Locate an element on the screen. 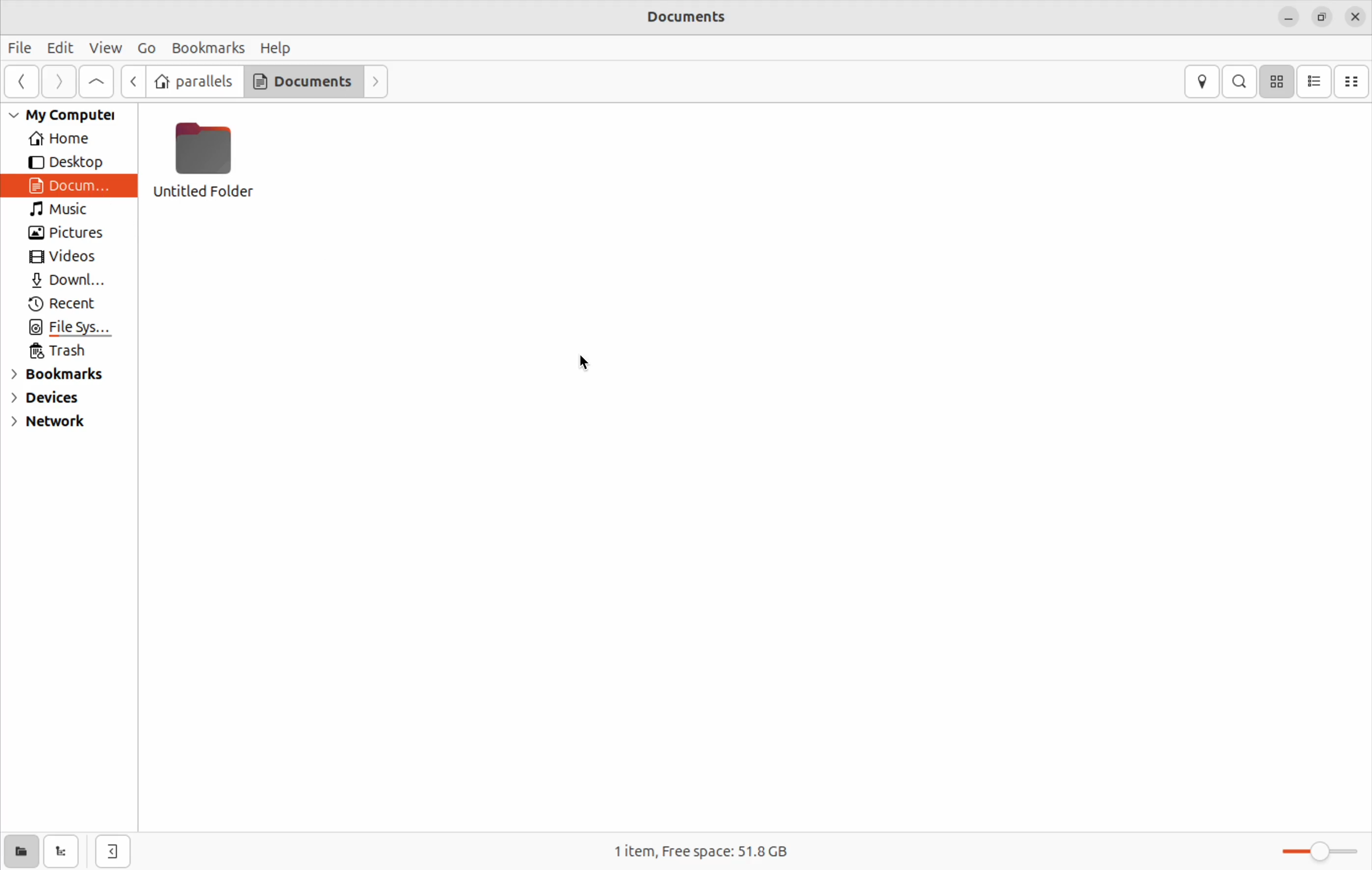 The width and height of the screenshot is (1372, 870). toggle zoom is located at coordinates (1304, 848).